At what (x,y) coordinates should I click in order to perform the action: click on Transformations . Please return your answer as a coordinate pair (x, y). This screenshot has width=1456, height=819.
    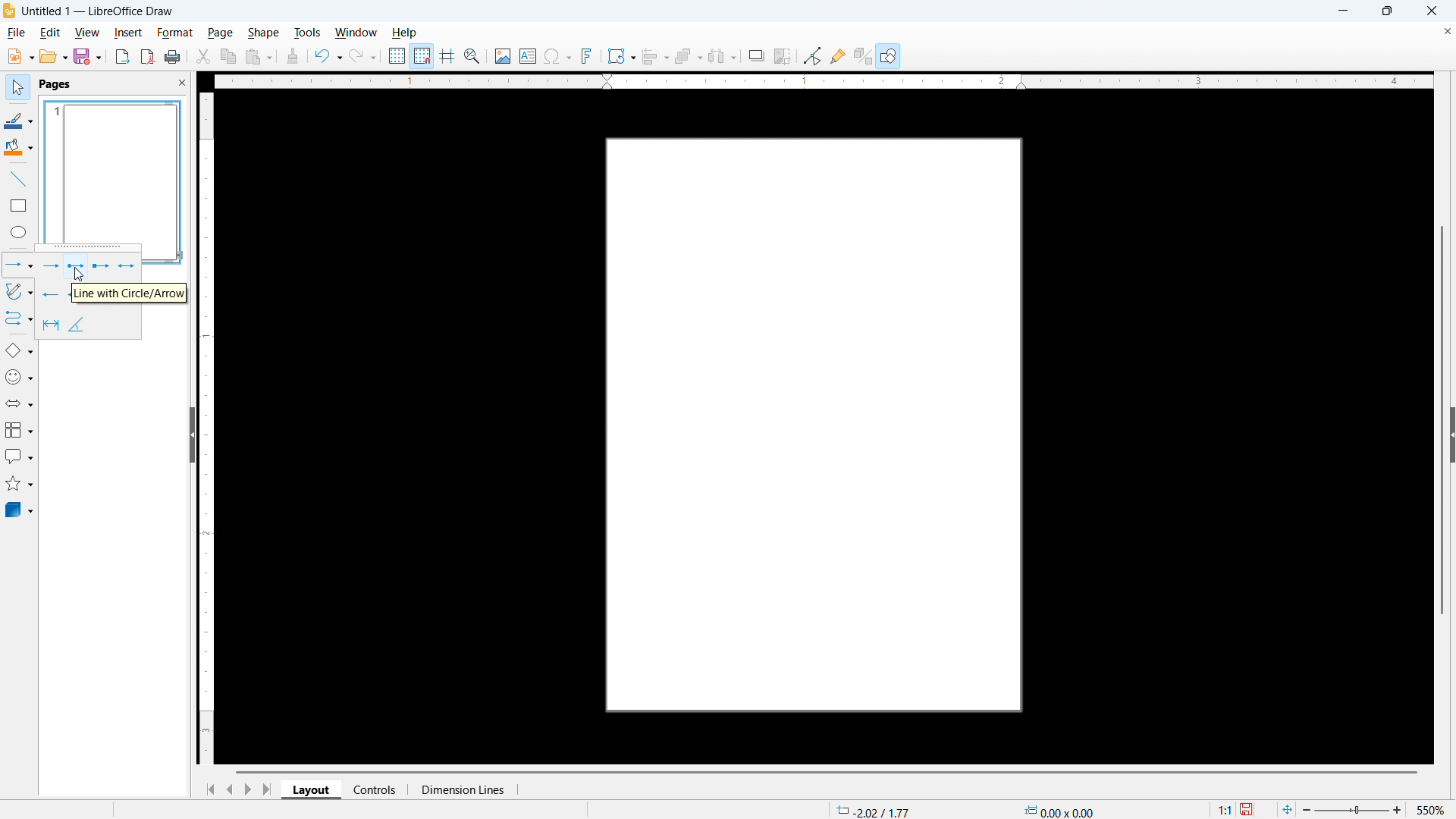
    Looking at the image, I should click on (621, 57).